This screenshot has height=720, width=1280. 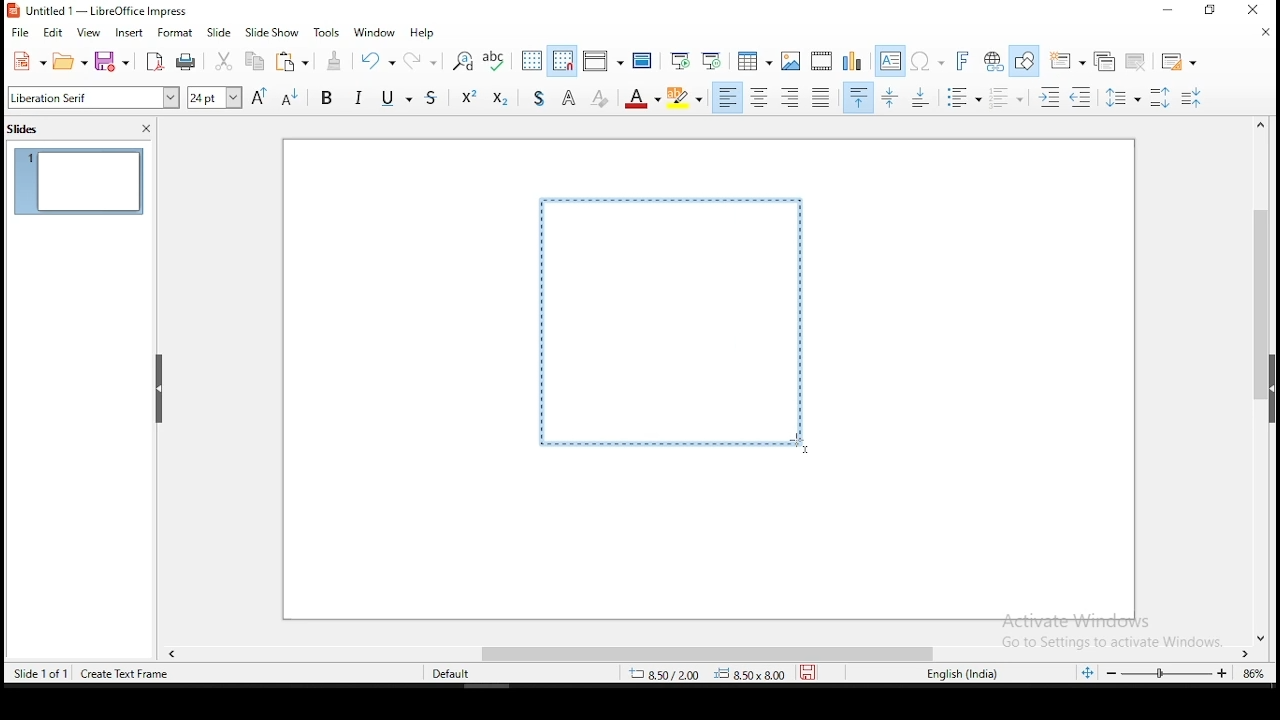 I want to click on decrease indent, so click(x=1082, y=98).